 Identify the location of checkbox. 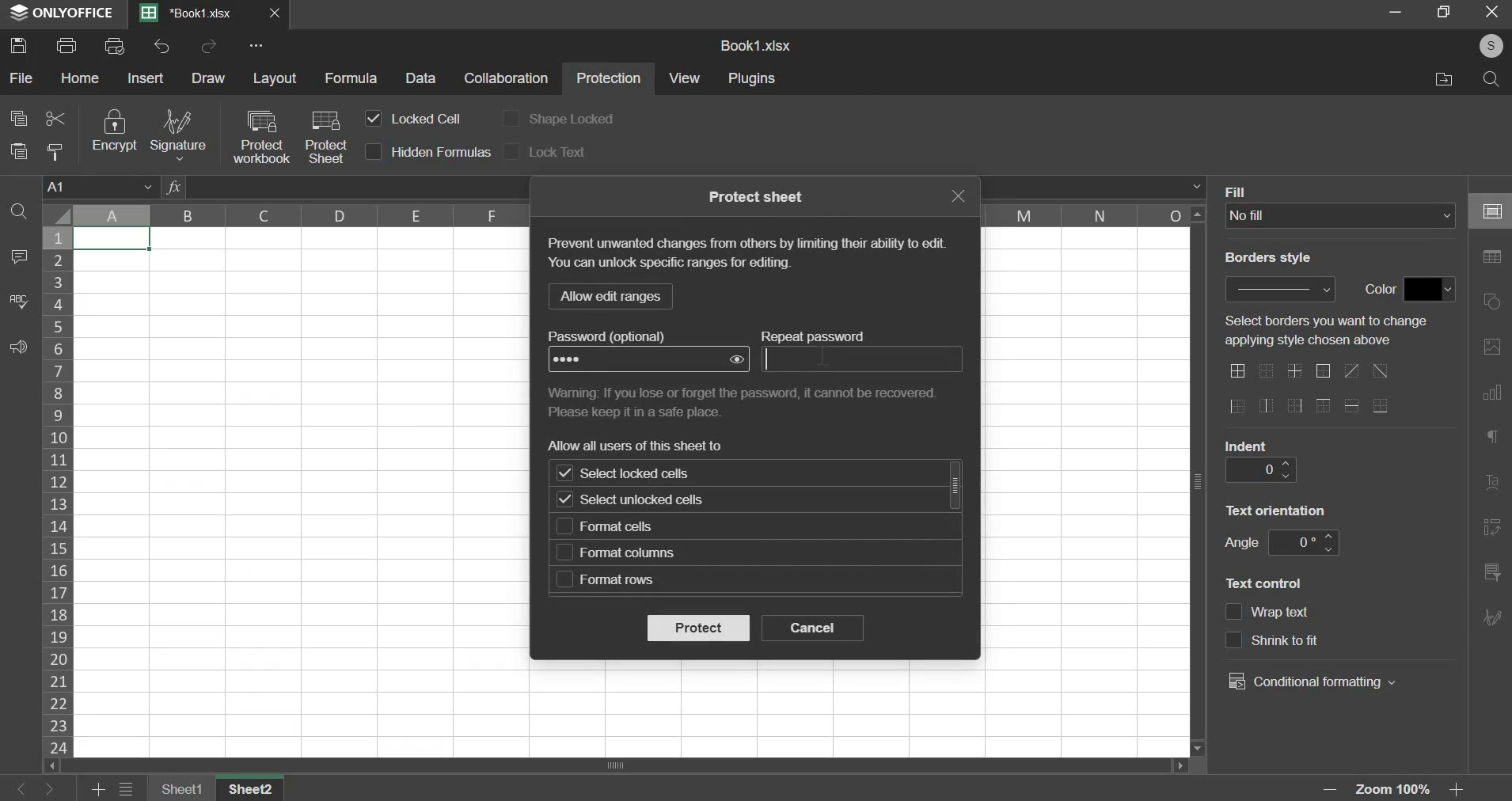
(564, 499).